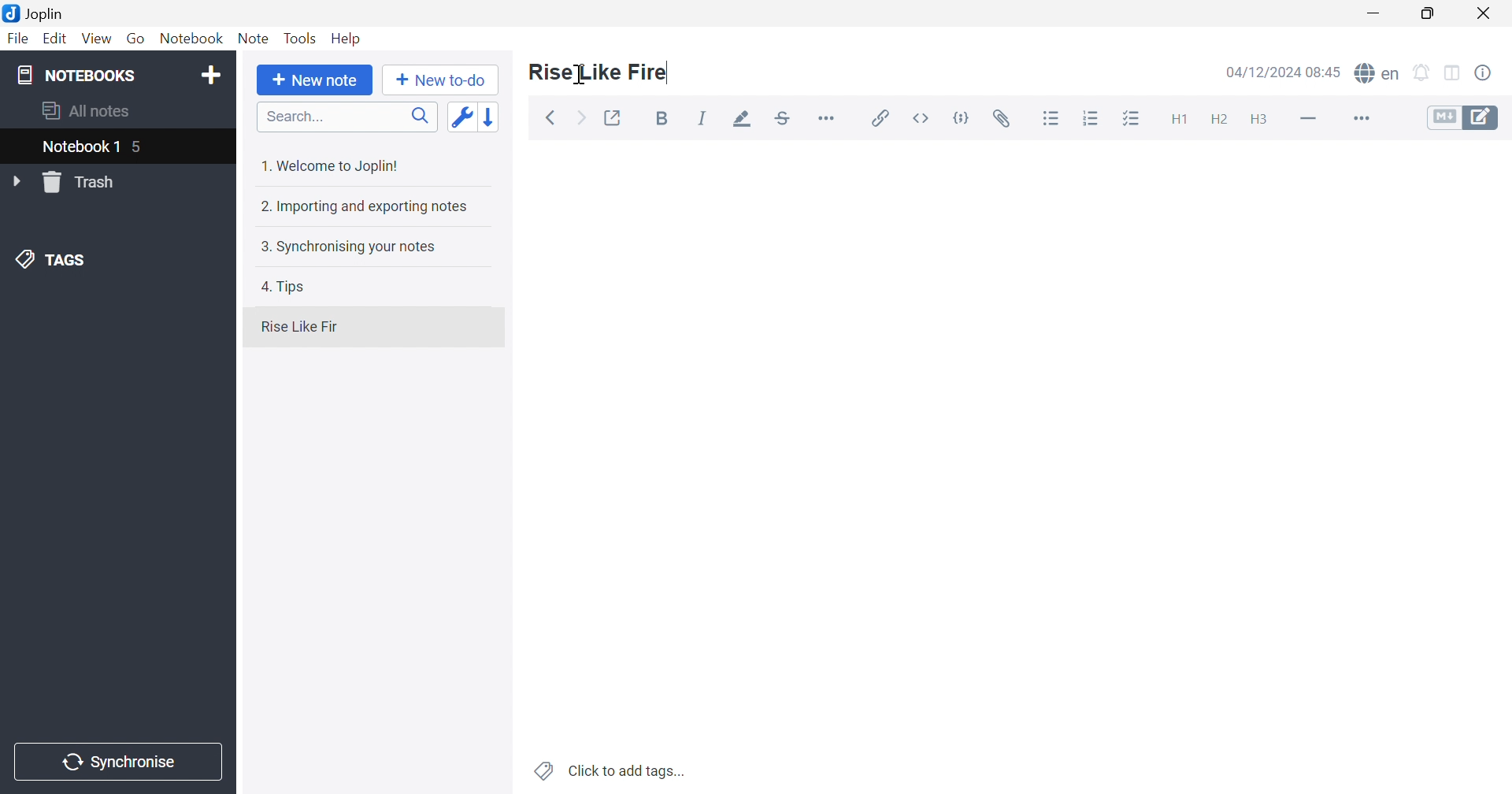  What do you see at coordinates (1377, 13) in the screenshot?
I see `Minimize` at bounding box center [1377, 13].